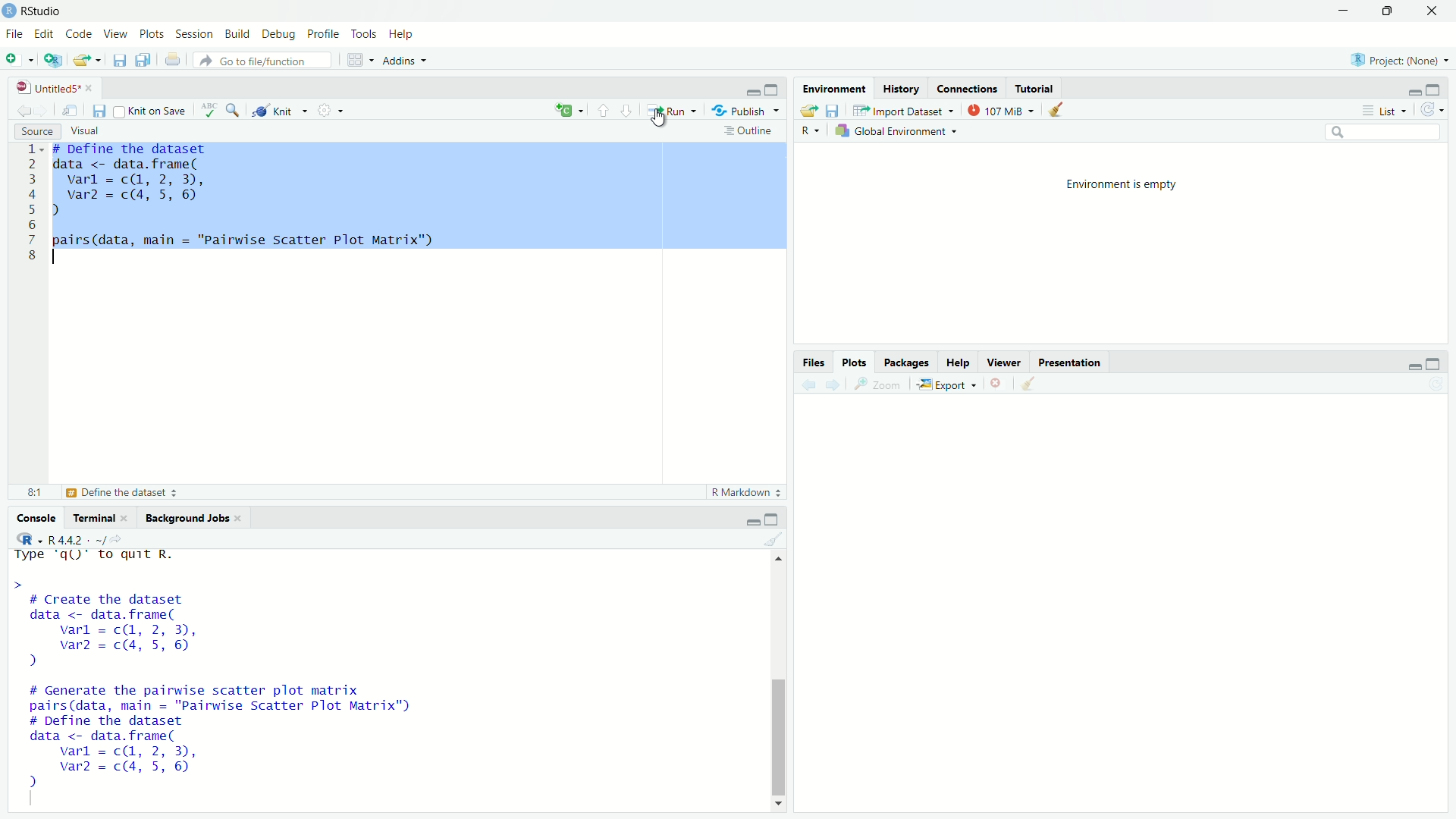 Image resolution: width=1456 pixels, height=819 pixels. Describe the element at coordinates (1056, 108) in the screenshot. I see `Clear console (Ctrl +L)` at that location.